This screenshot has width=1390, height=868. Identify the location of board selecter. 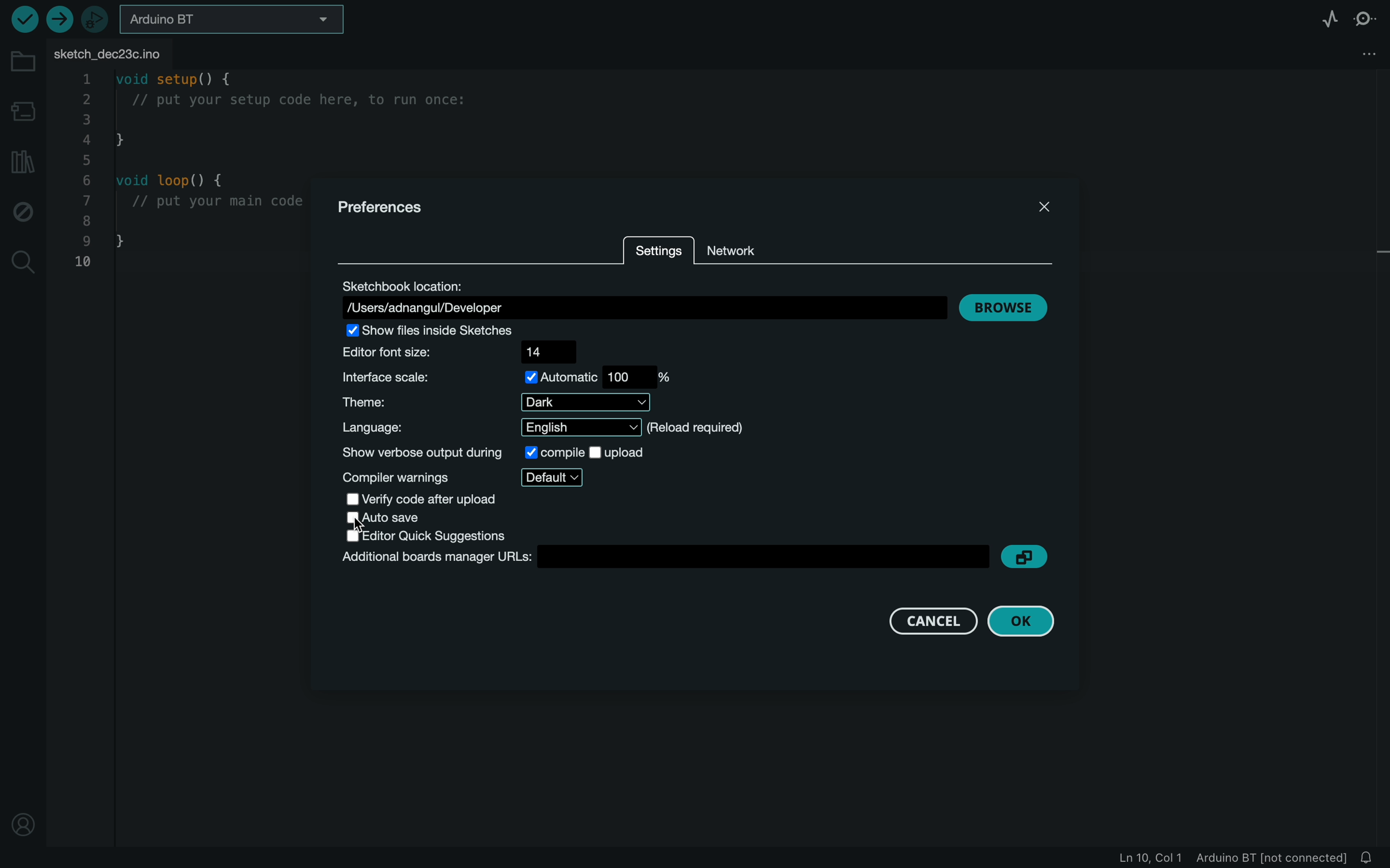
(239, 21).